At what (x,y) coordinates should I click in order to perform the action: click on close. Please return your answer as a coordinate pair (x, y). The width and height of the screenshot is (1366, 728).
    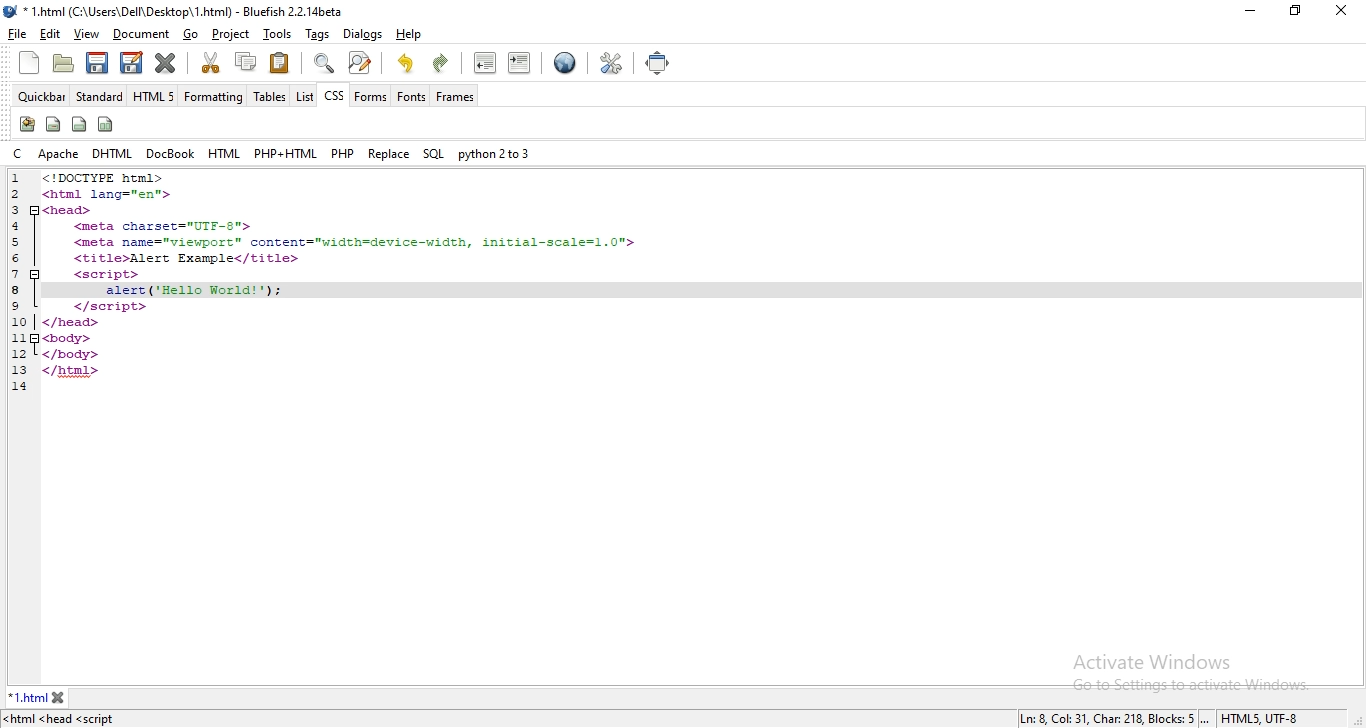
    Looking at the image, I should click on (164, 63).